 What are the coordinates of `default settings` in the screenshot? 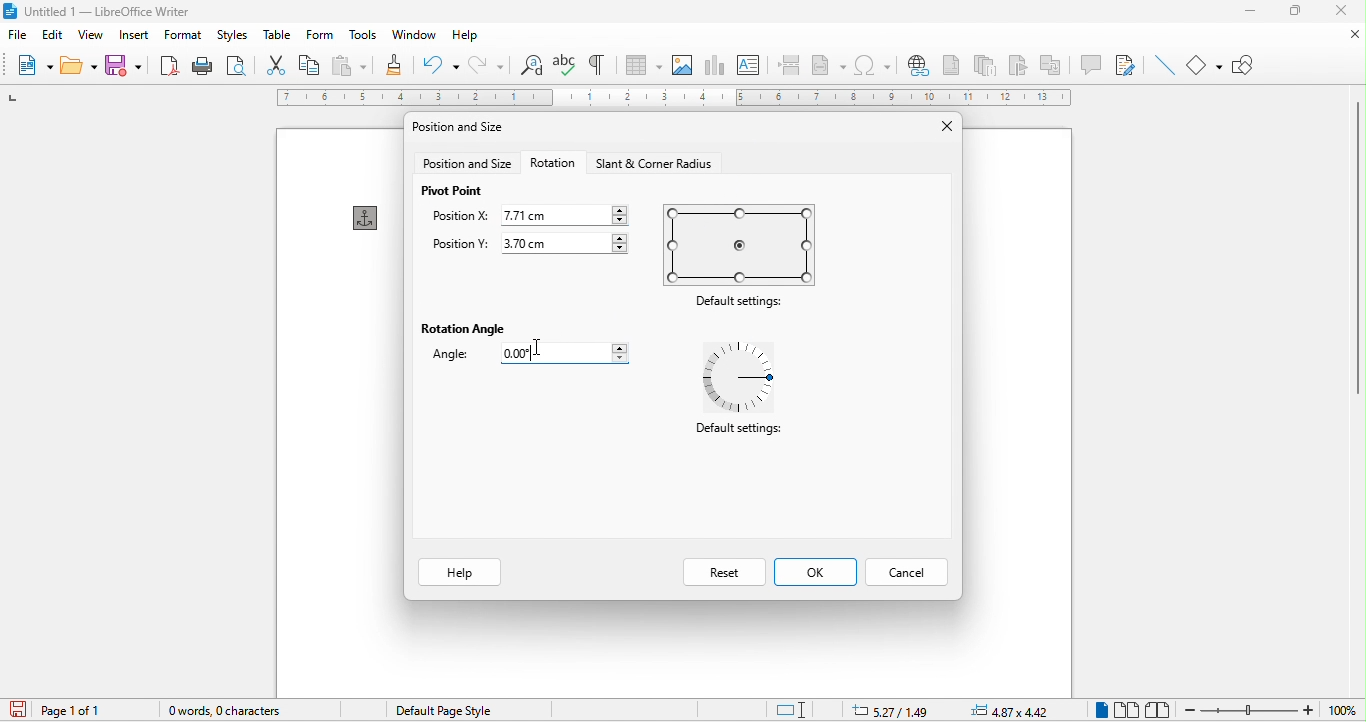 It's located at (748, 375).